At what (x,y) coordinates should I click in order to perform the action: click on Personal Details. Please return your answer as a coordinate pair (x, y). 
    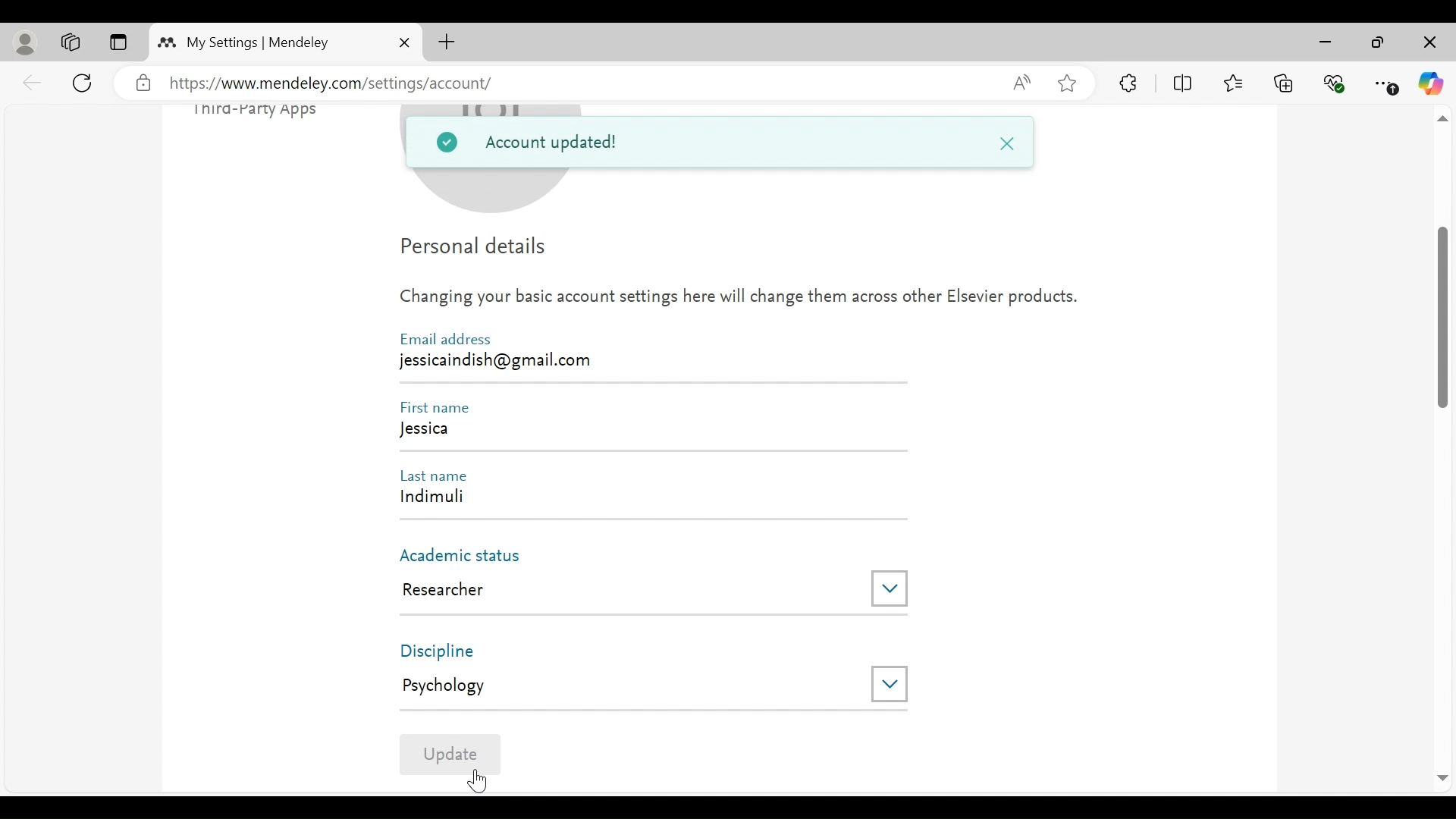
    Looking at the image, I should click on (475, 249).